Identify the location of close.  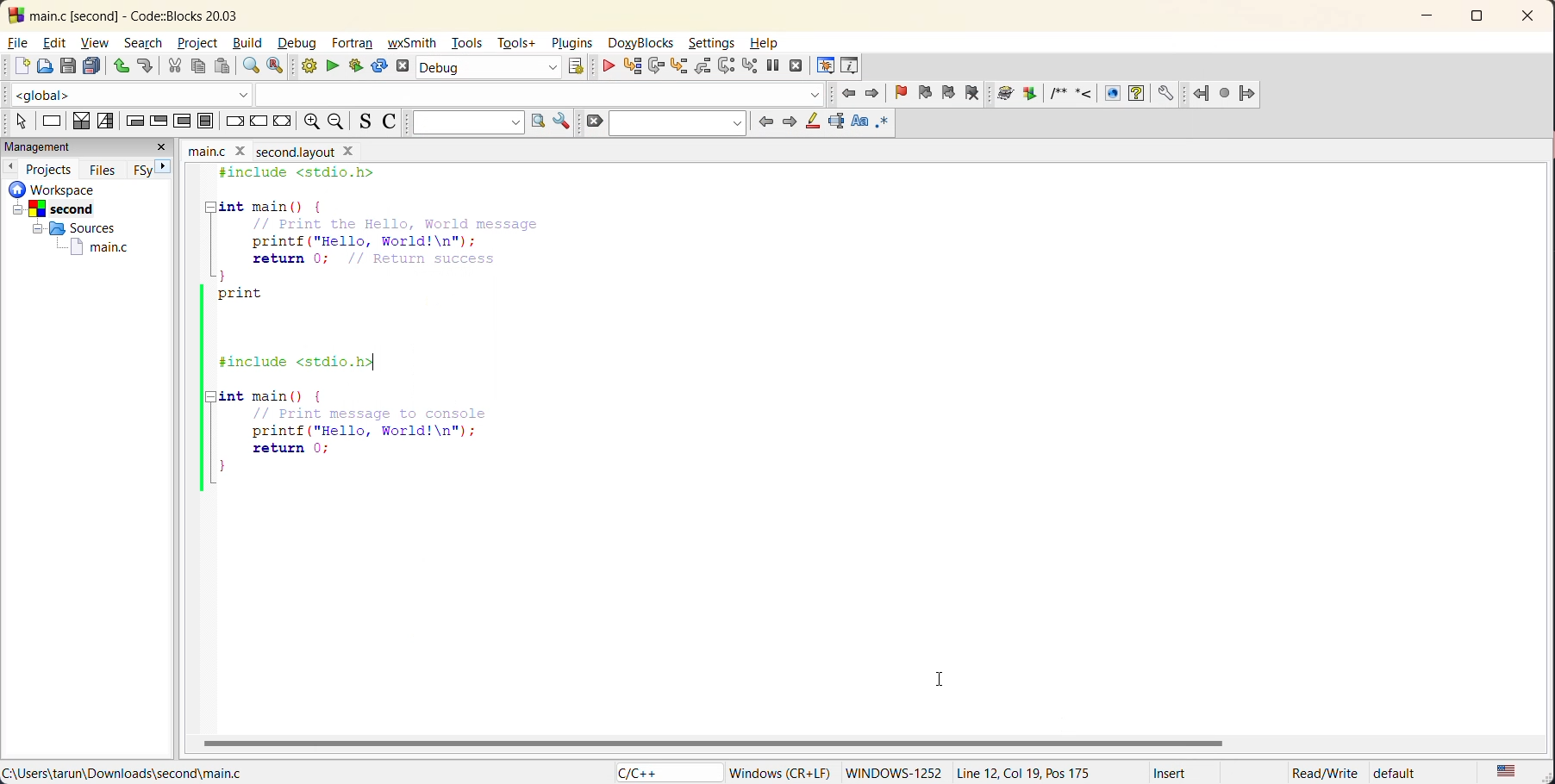
(1531, 20).